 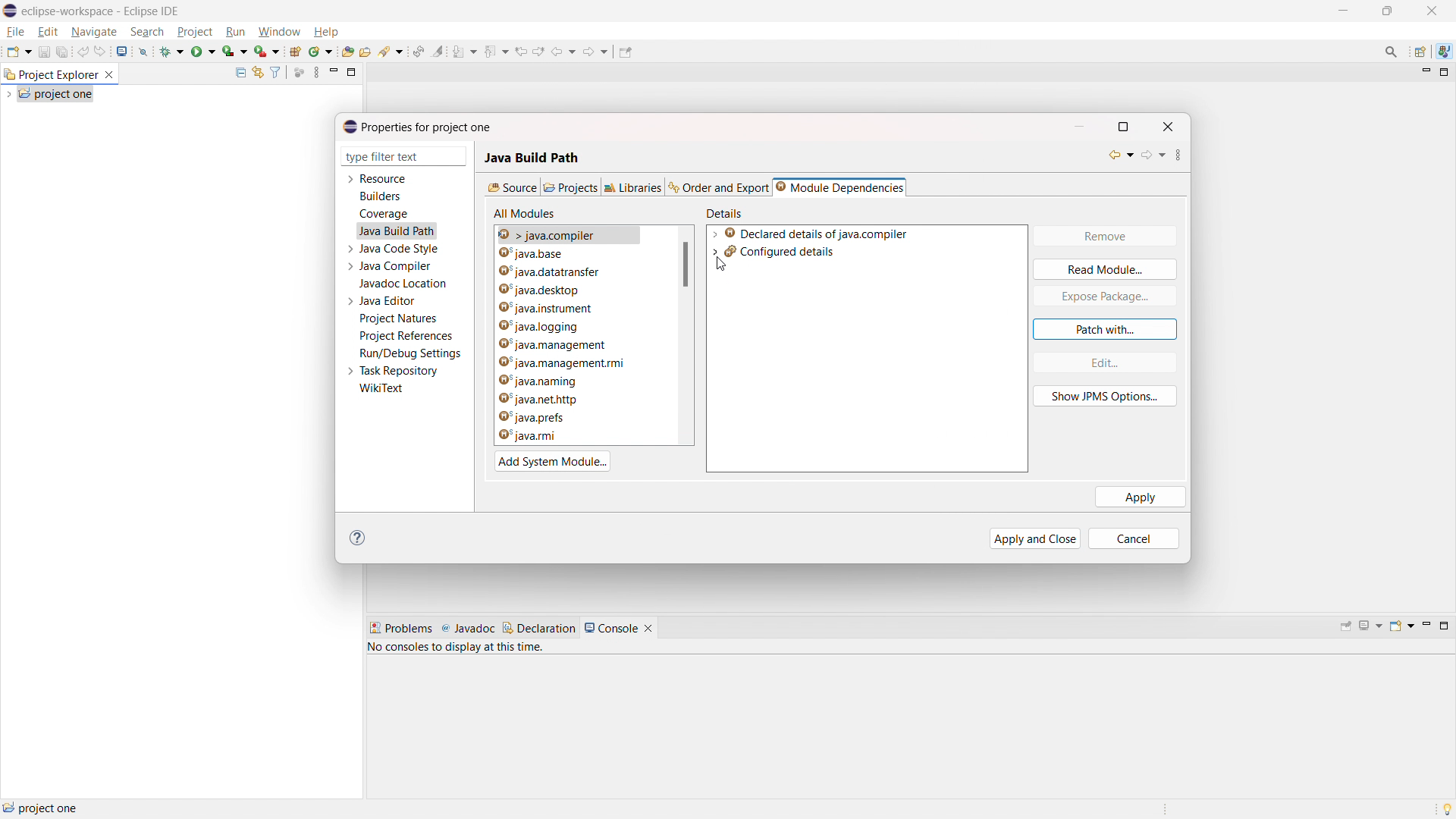 What do you see at coordinates (468, 629) in the screenshot?
I see `javadoc` at bounding box center [468, 629].